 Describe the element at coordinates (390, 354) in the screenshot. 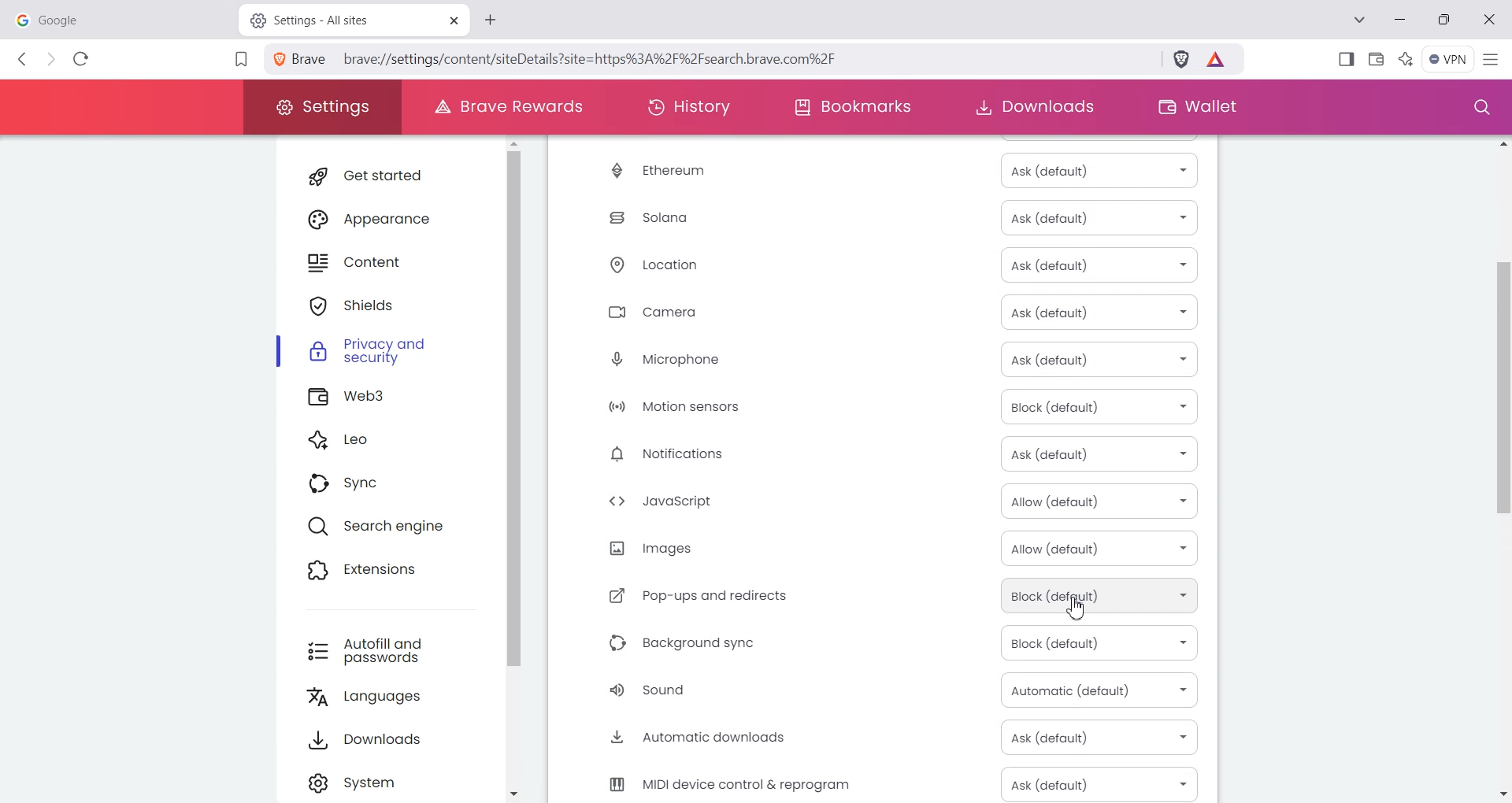

I see `Privacy and security` at that location.